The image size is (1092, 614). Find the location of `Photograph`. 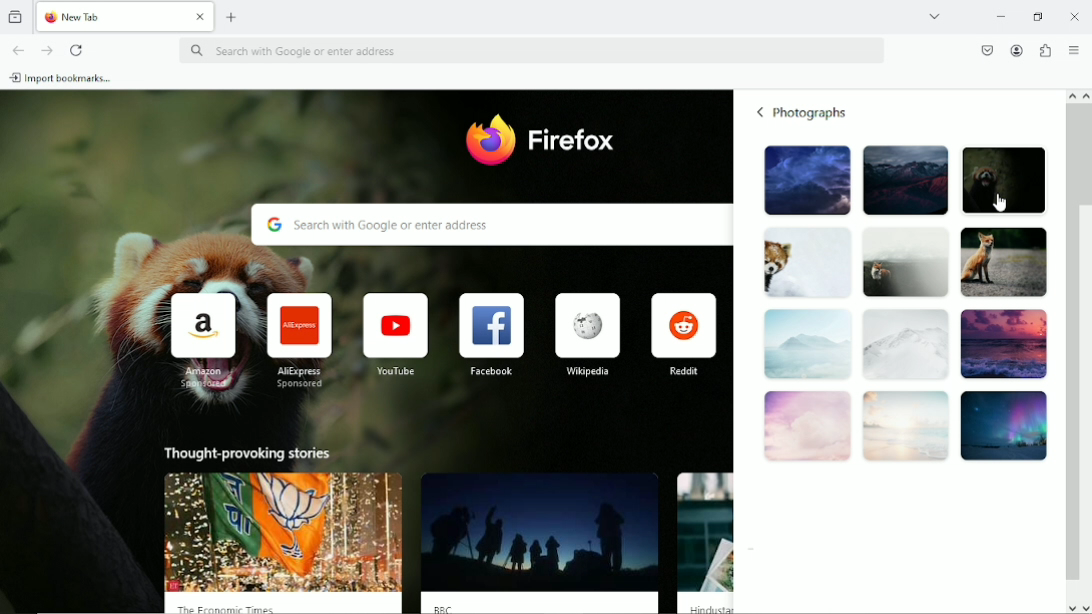

Photograph is located at coordinates (806, 347).